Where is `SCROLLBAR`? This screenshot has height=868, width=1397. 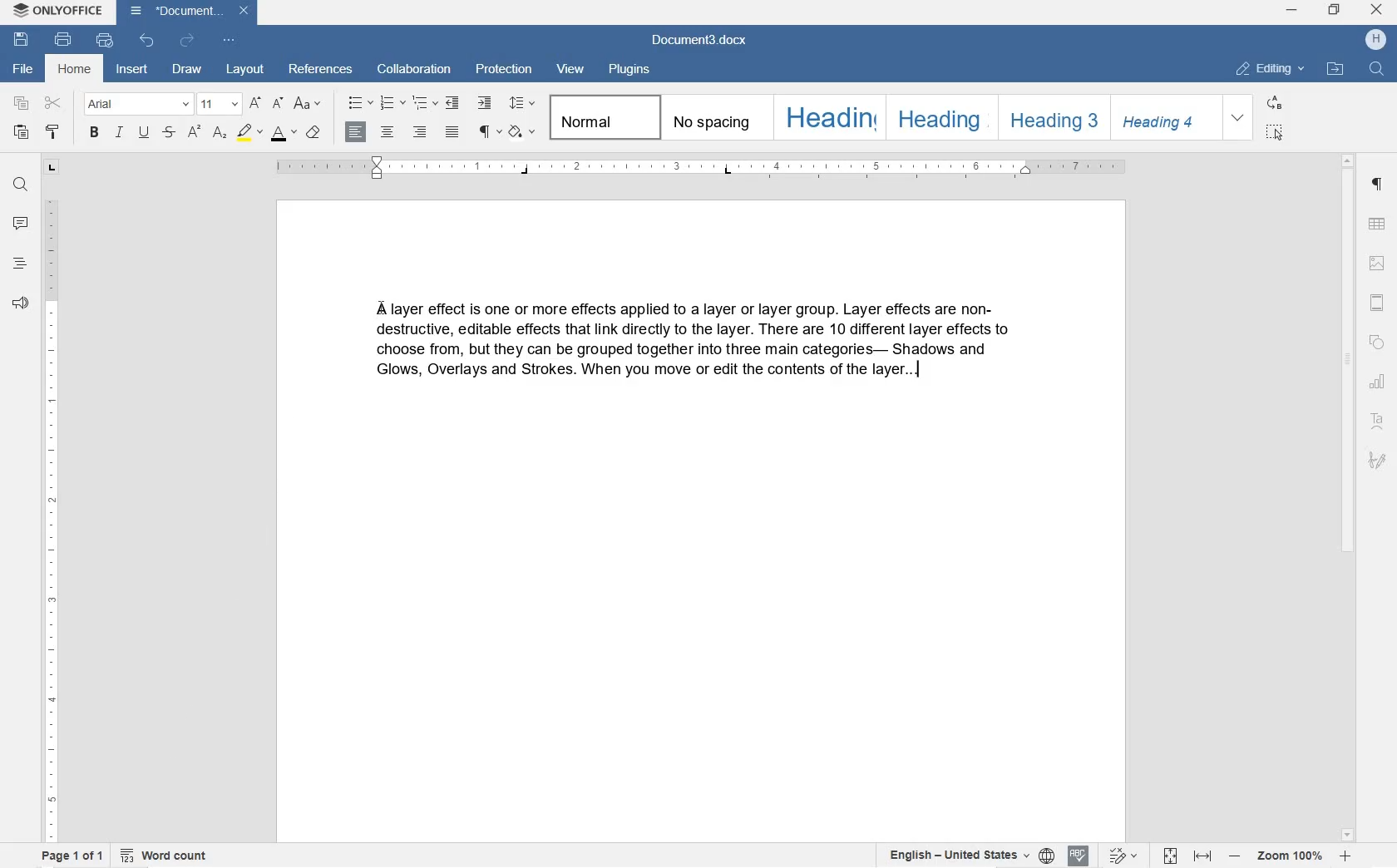 SCROLLBAR is located at coordinates (1345, 497).